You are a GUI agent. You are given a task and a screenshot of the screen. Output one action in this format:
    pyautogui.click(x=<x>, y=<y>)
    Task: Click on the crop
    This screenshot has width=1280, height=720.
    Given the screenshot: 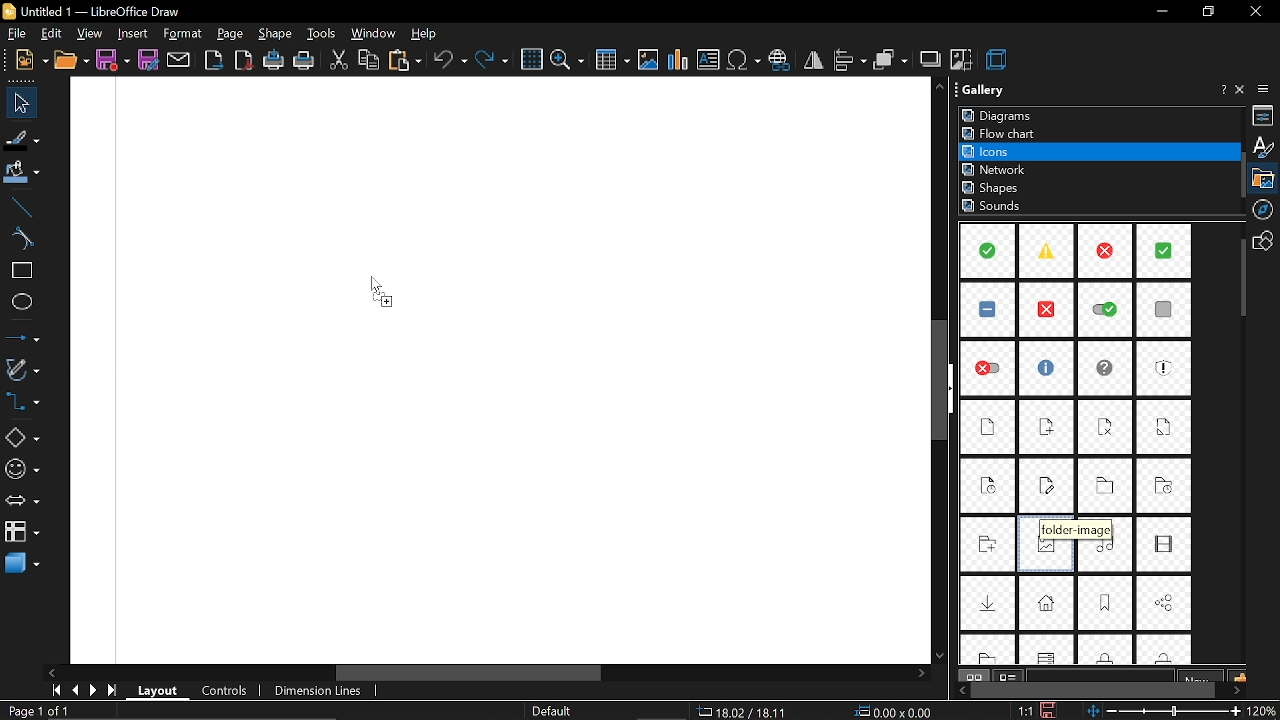 What is the action you would take?
    pyautogui.click(x=962, y=62)
    